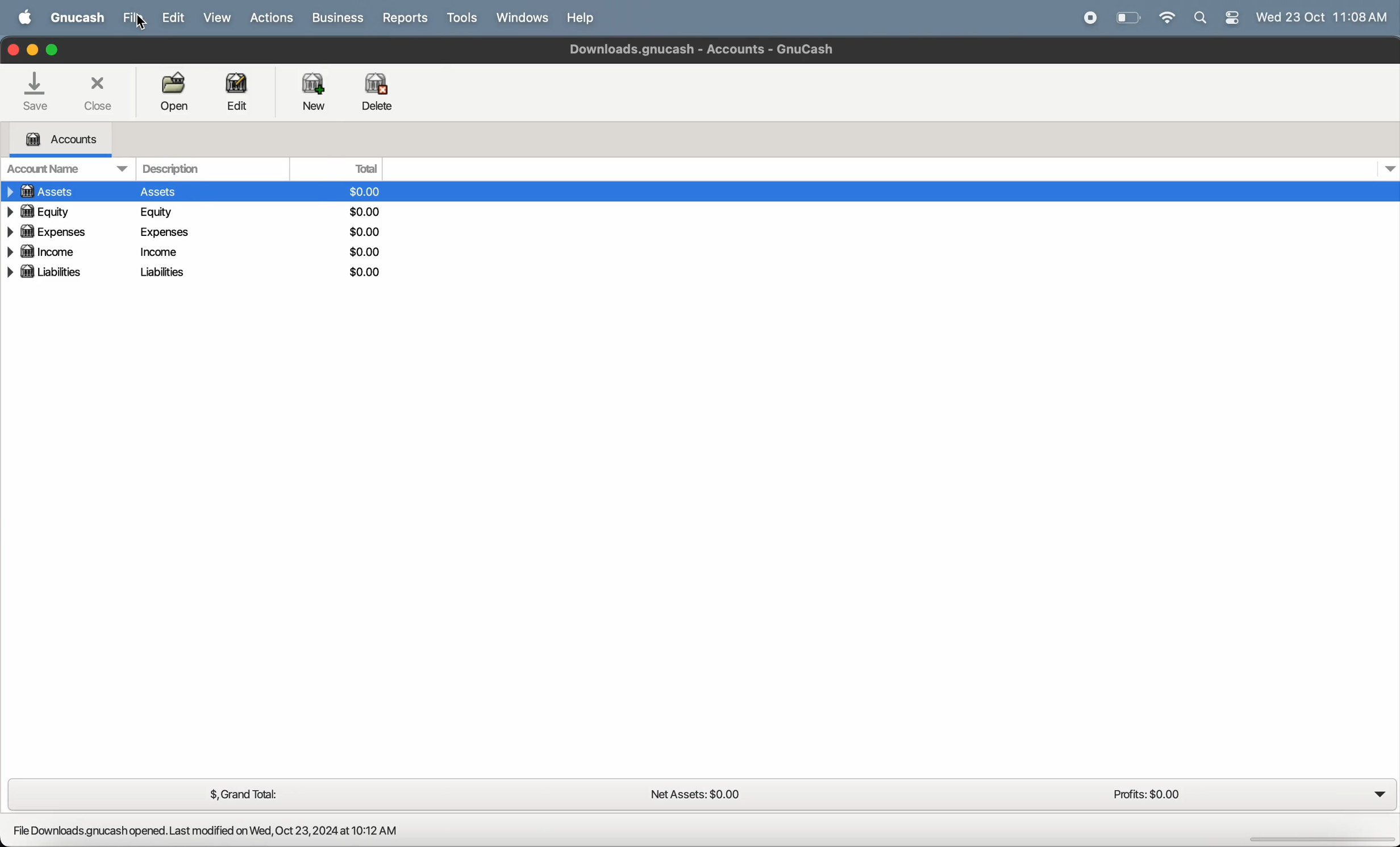  What do you see at coordinates (1166, 18) in the screenshot?
I see `wifi` at bounding box center [1166, 18].